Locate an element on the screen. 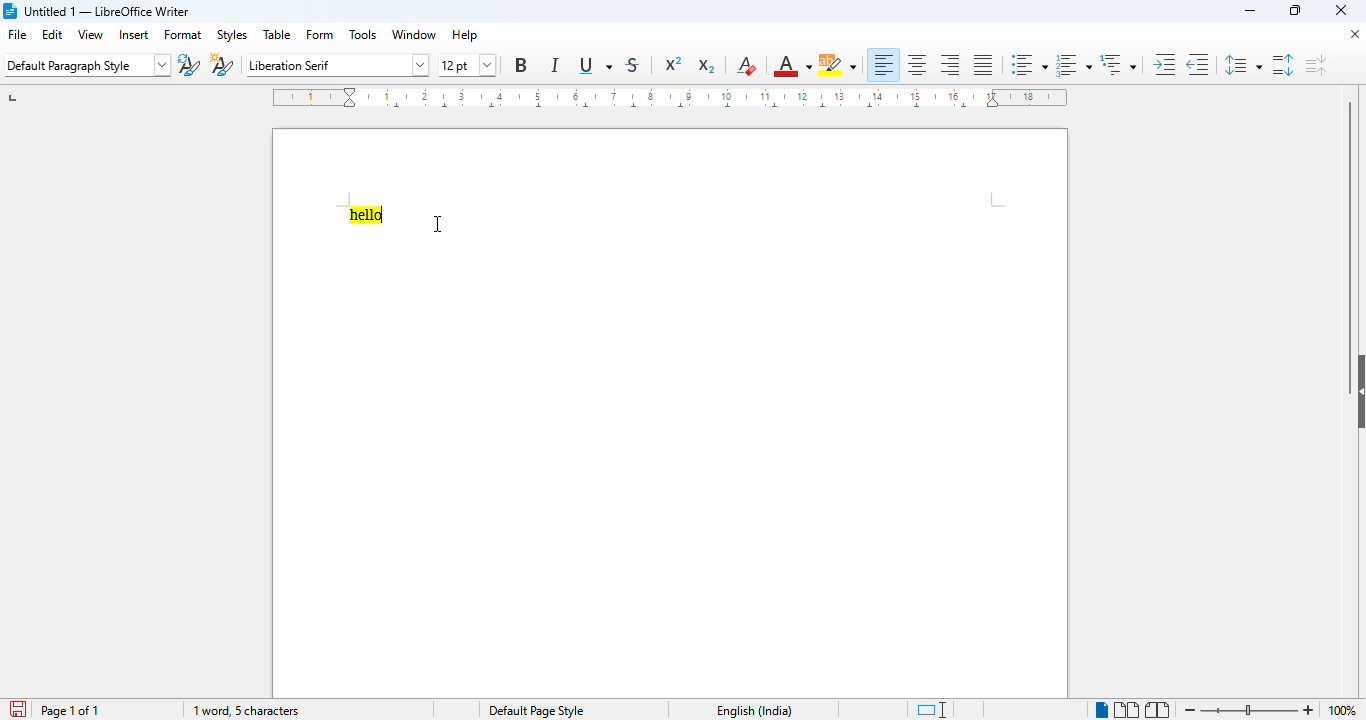 This screenshot has height=720, width=1366. standard selection is located at coordinates (925, 709).